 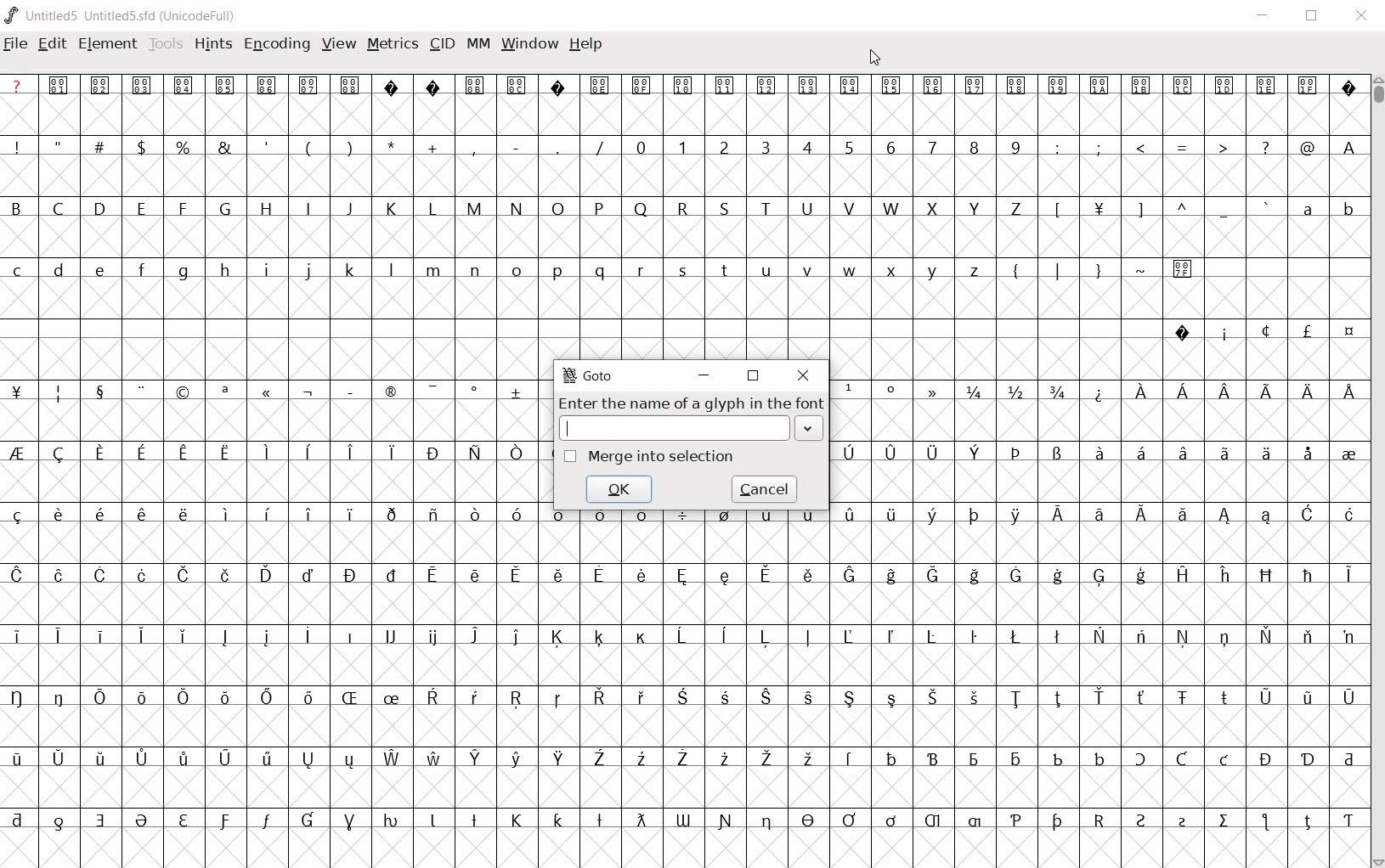 What do you see at coordinates (597, 210) in the screenshot?
I see `P` at bounding box center [597, 210].